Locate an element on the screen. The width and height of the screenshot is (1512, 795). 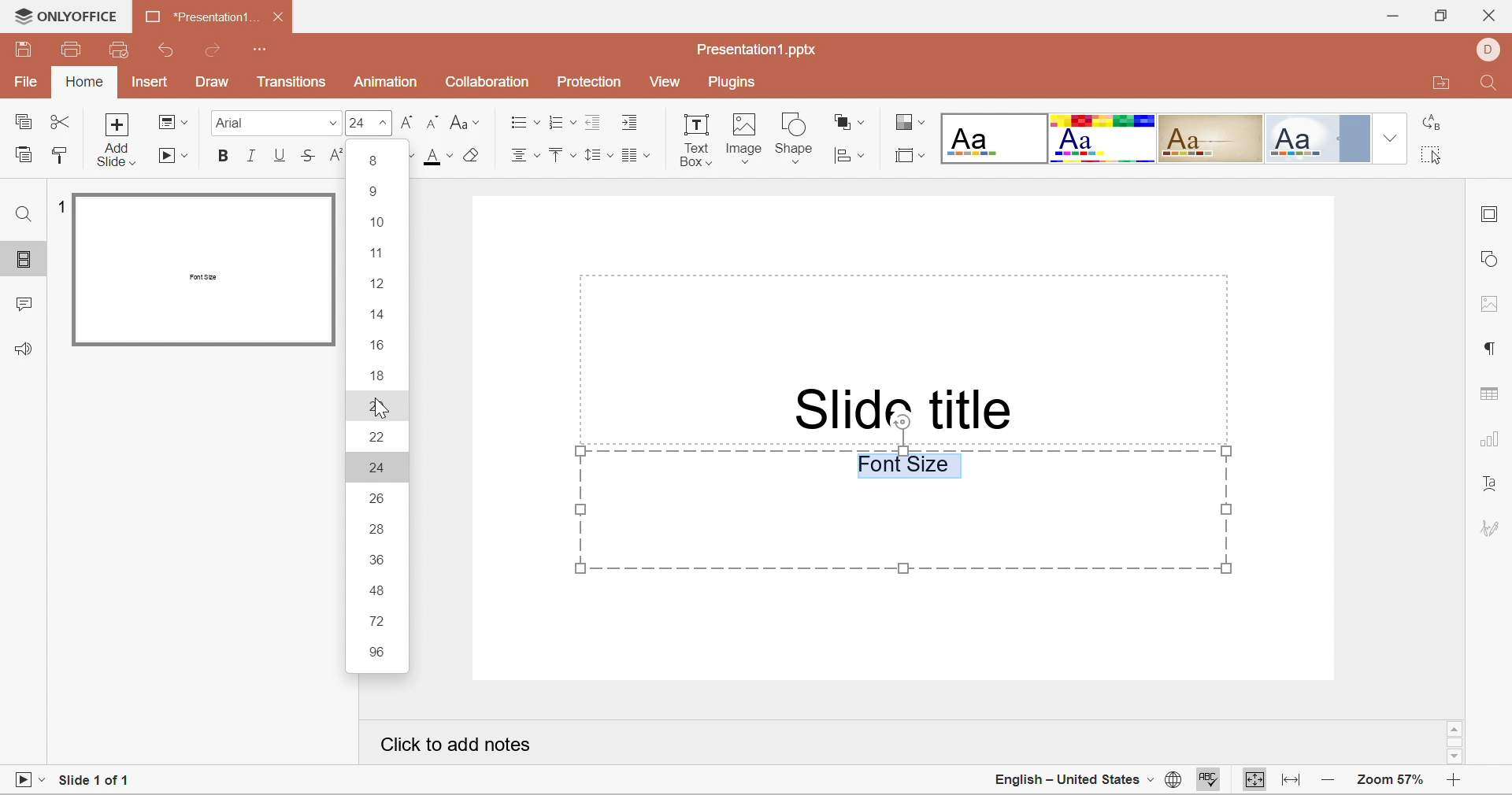
DELL is located at coordinates (1489, 49).